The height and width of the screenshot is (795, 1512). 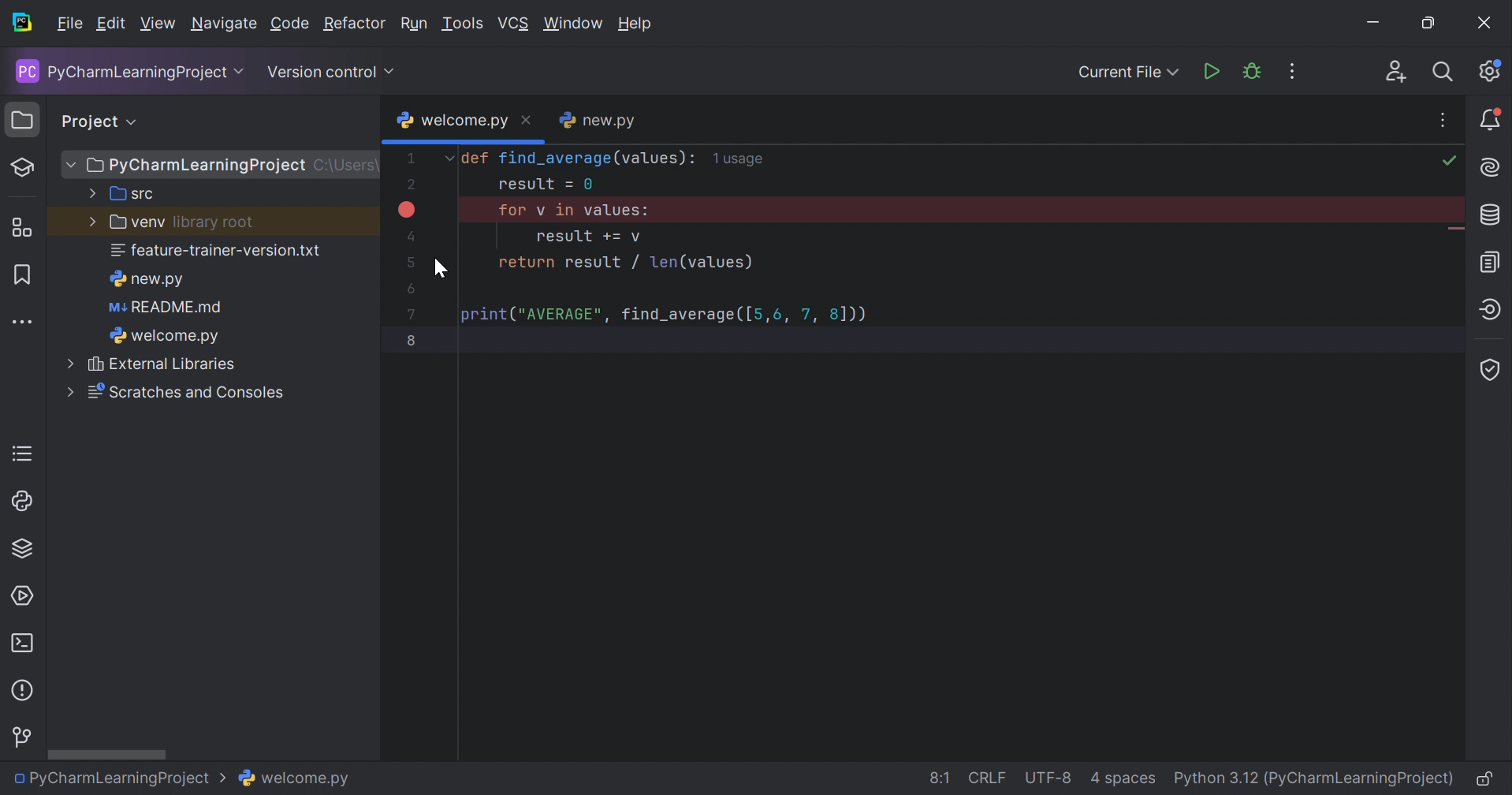 I want to click on 2, so click(x=410, y=188).